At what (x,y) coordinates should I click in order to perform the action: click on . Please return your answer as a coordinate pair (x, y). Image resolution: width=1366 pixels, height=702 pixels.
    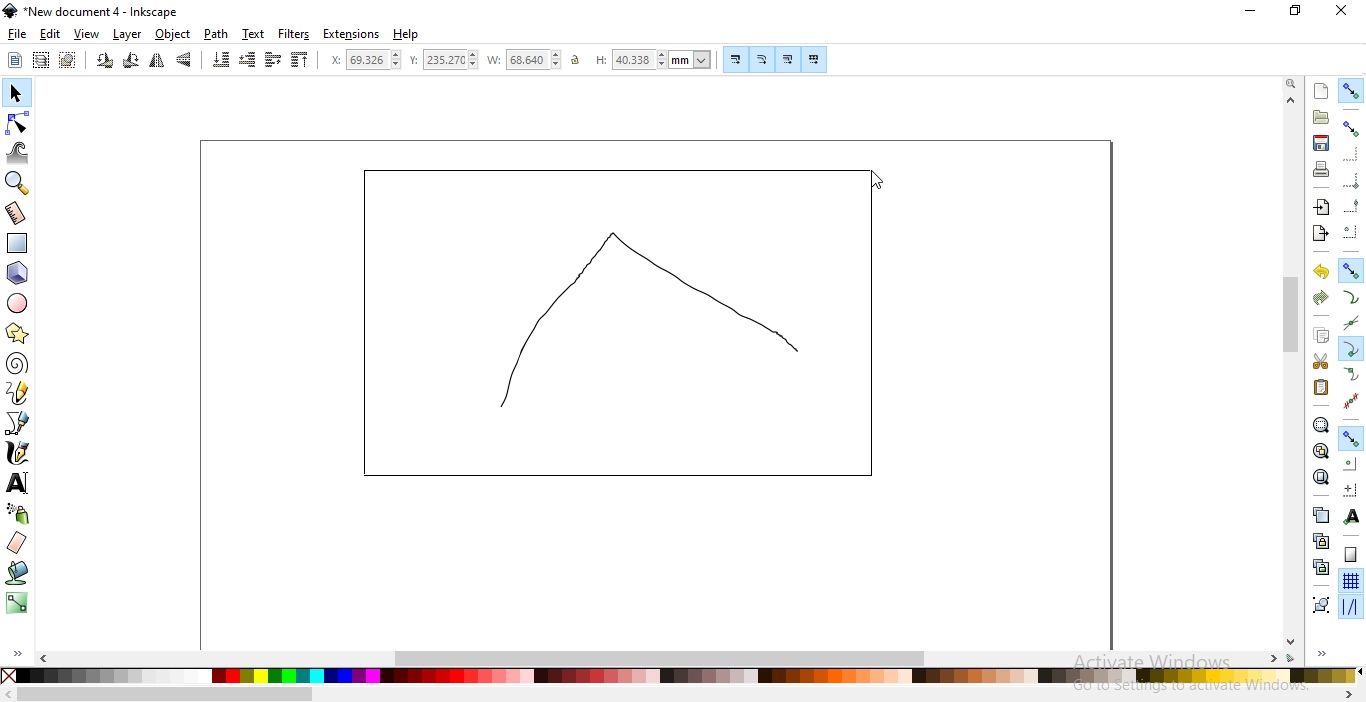
    Looking at the image, I should click on (763, 59).